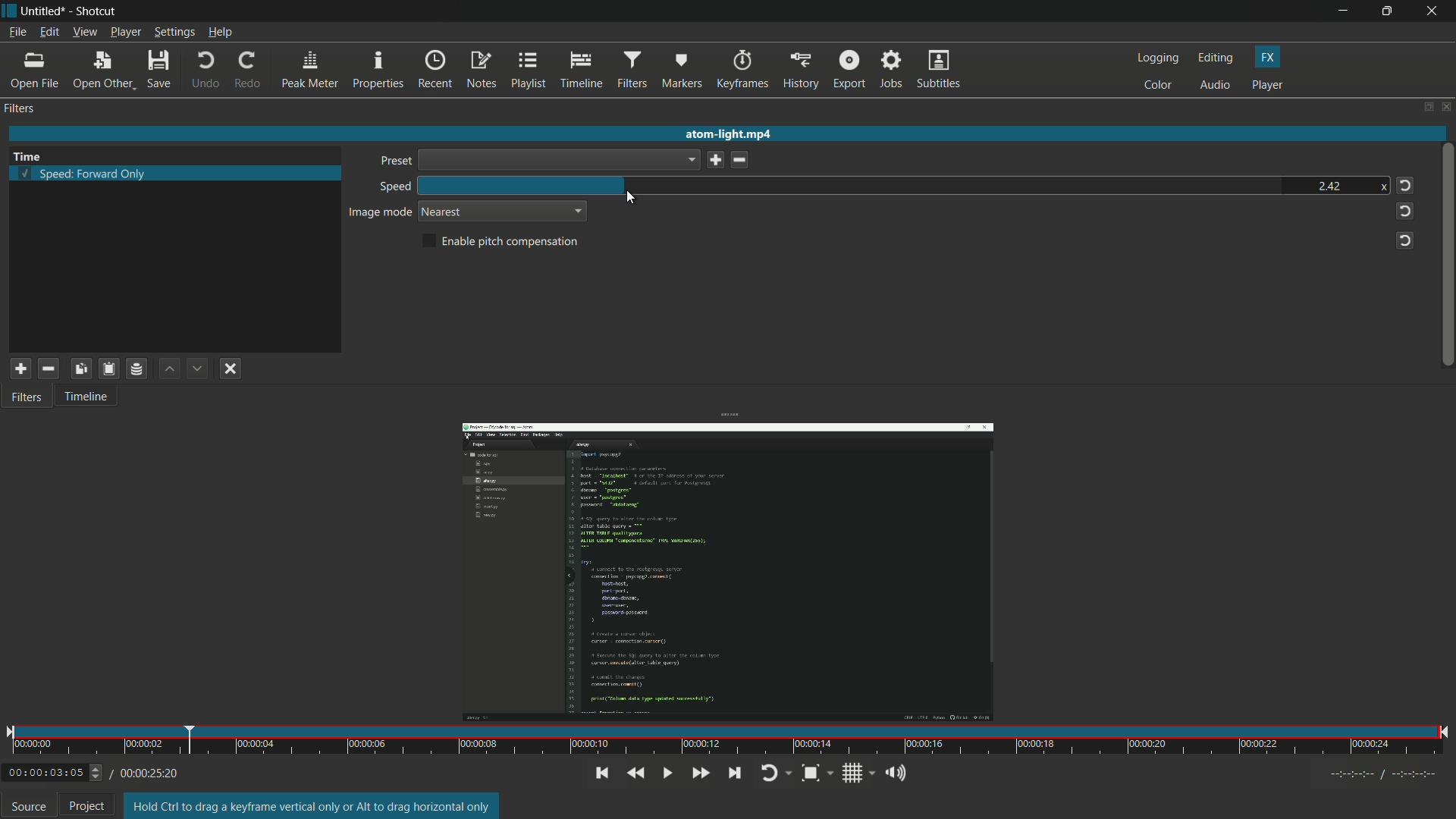 The width and height of the screenshot is (1456, 819). I want to click on save, so click(713, 160).